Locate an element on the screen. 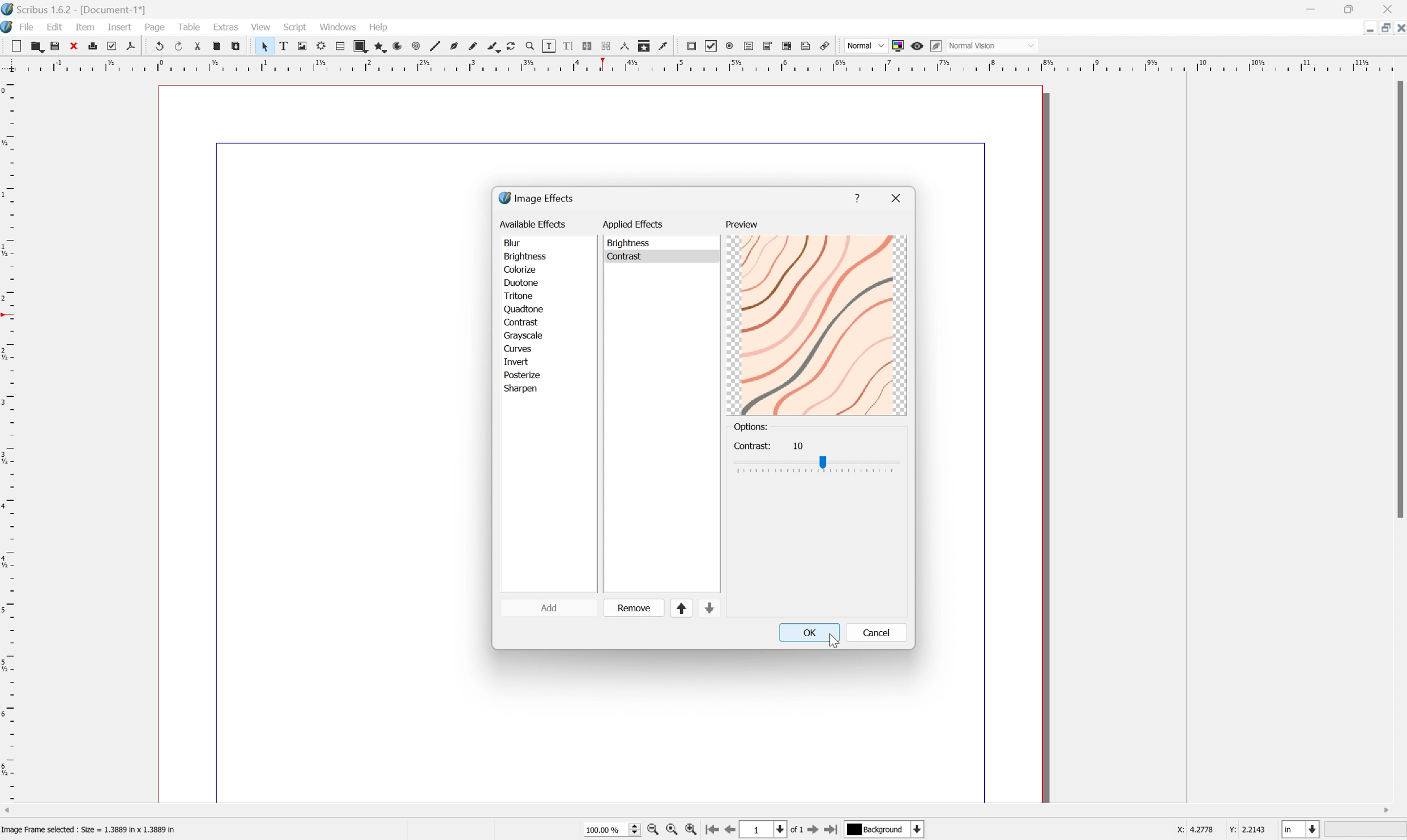  PDF List Box is located at coordinates (789, 46).